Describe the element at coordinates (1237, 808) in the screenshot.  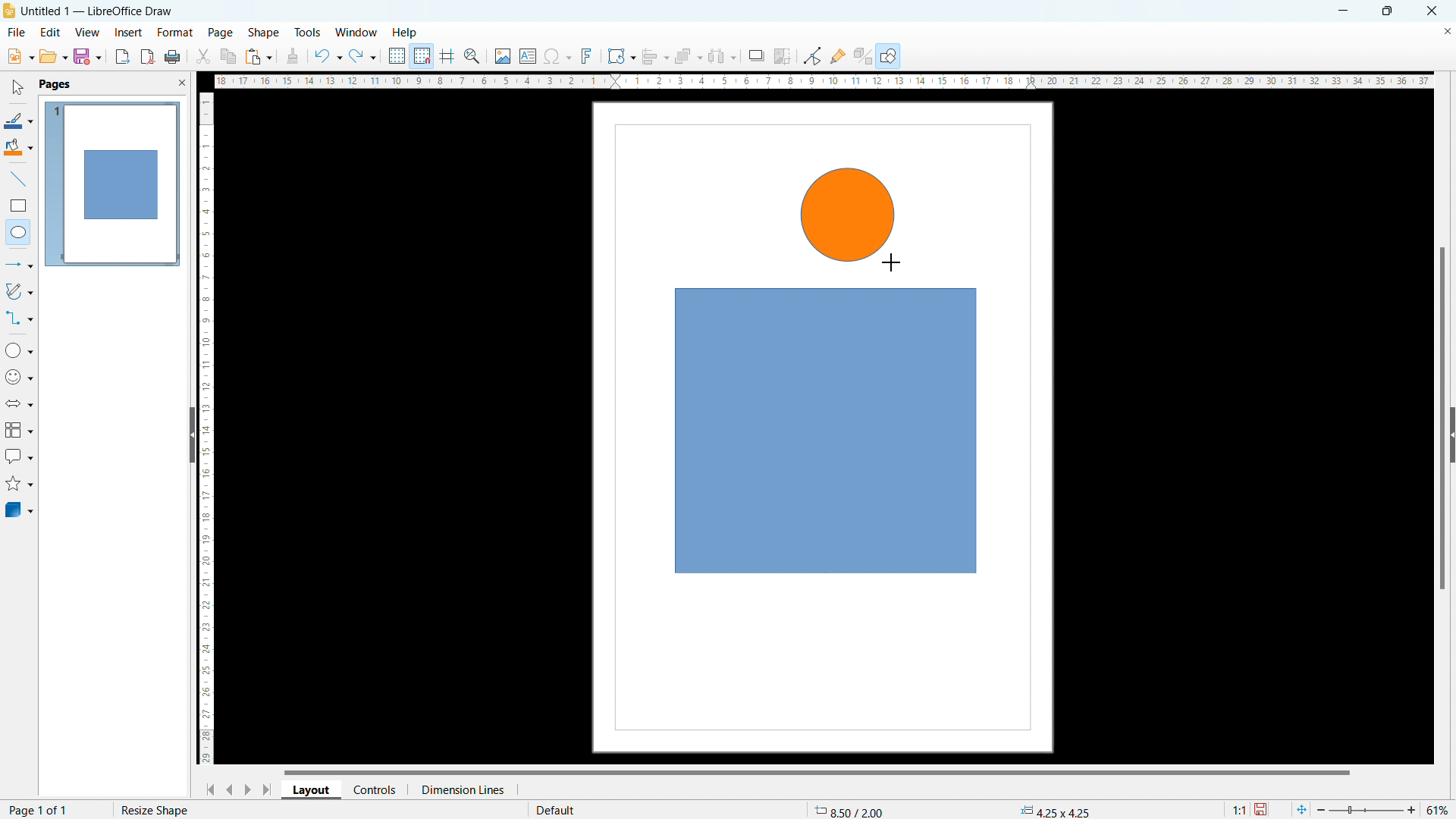
I see `scaling factor` at that location.